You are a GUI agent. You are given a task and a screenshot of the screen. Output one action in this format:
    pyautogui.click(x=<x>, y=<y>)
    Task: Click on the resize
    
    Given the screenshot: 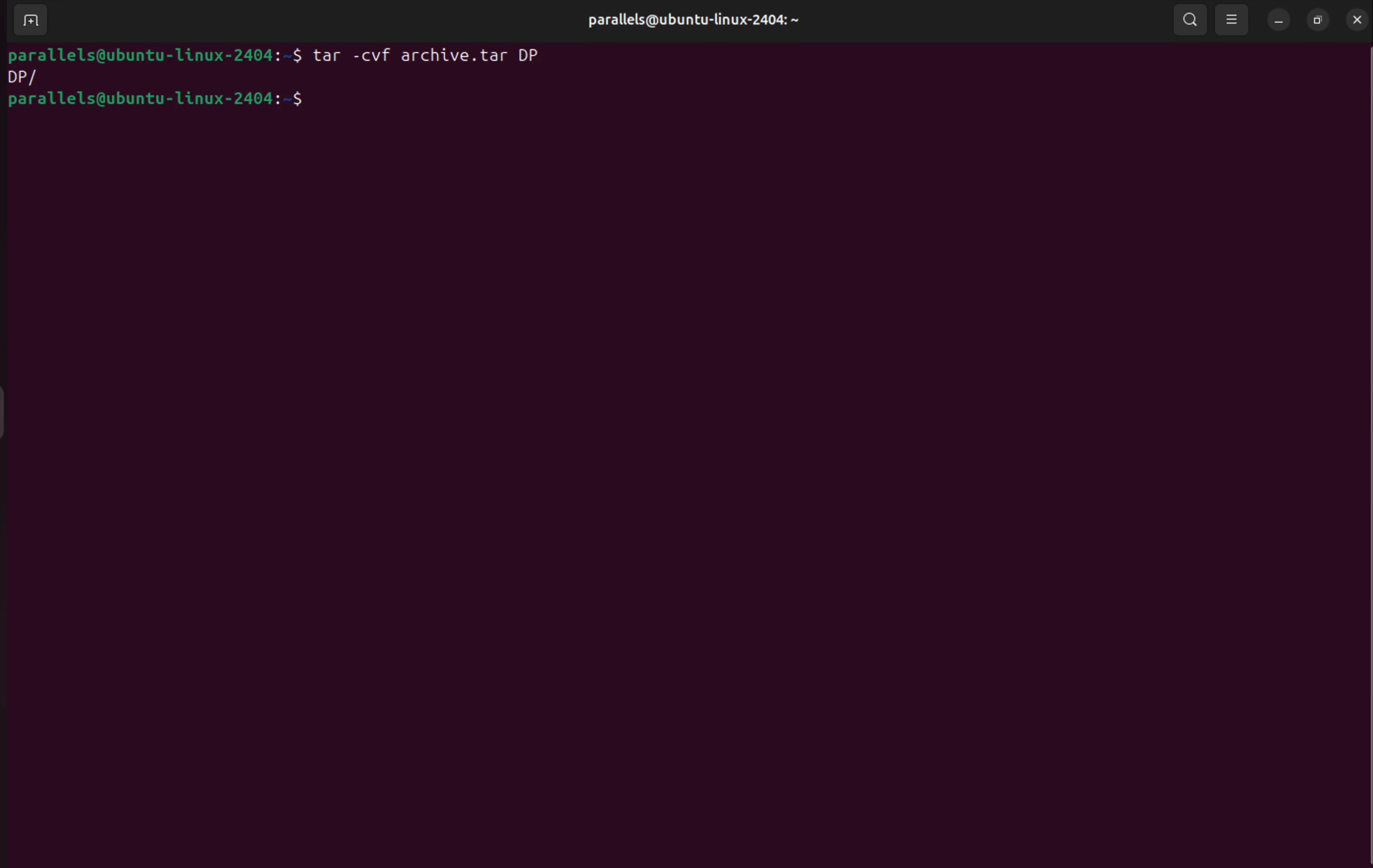 What is the action you would take?
    pyautogui.click(x=1319, y=19)
    